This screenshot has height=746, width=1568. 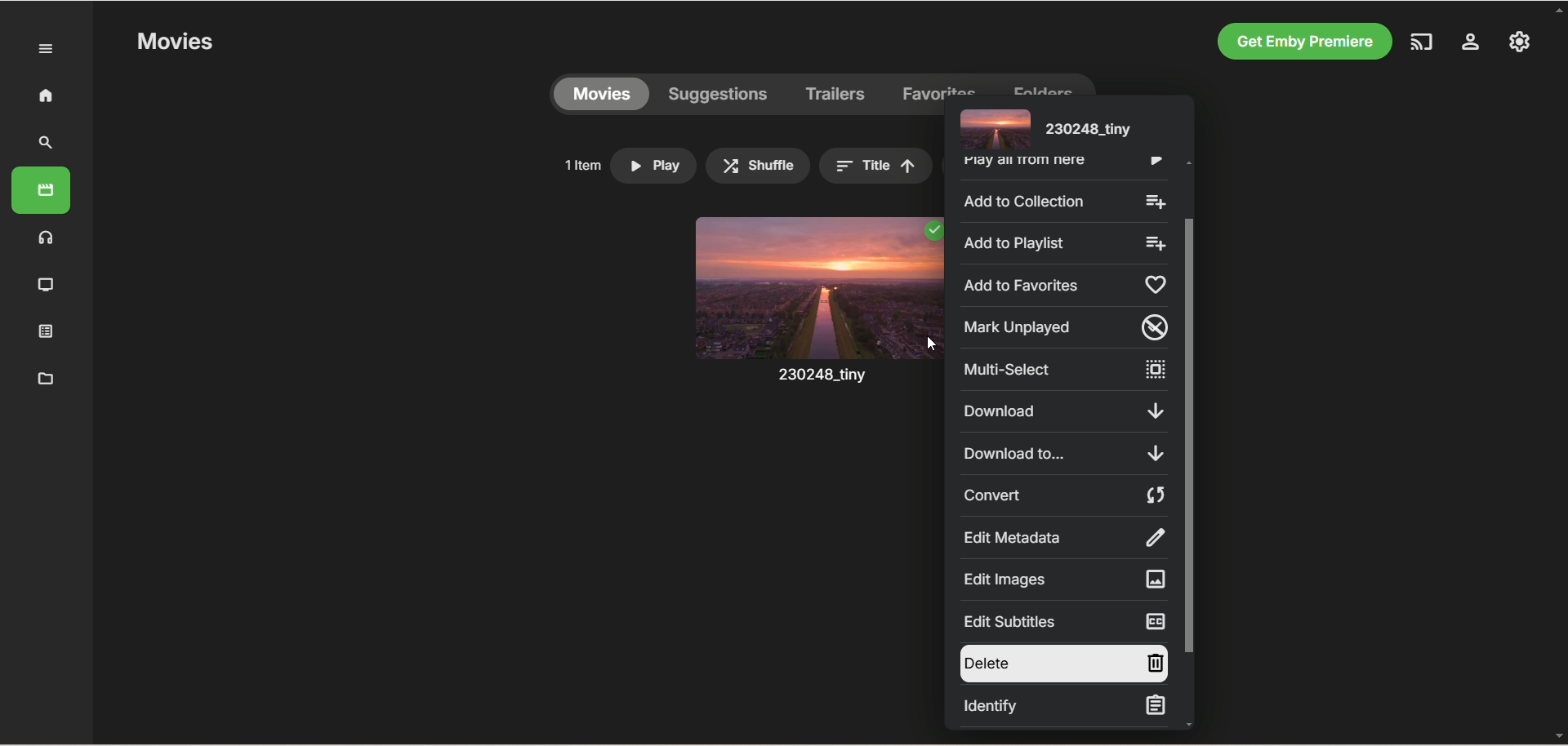 What do you see at coordinates (1061, 242) in the screenshot?
I see `add to playlist` at bounding box center [1061, 242].